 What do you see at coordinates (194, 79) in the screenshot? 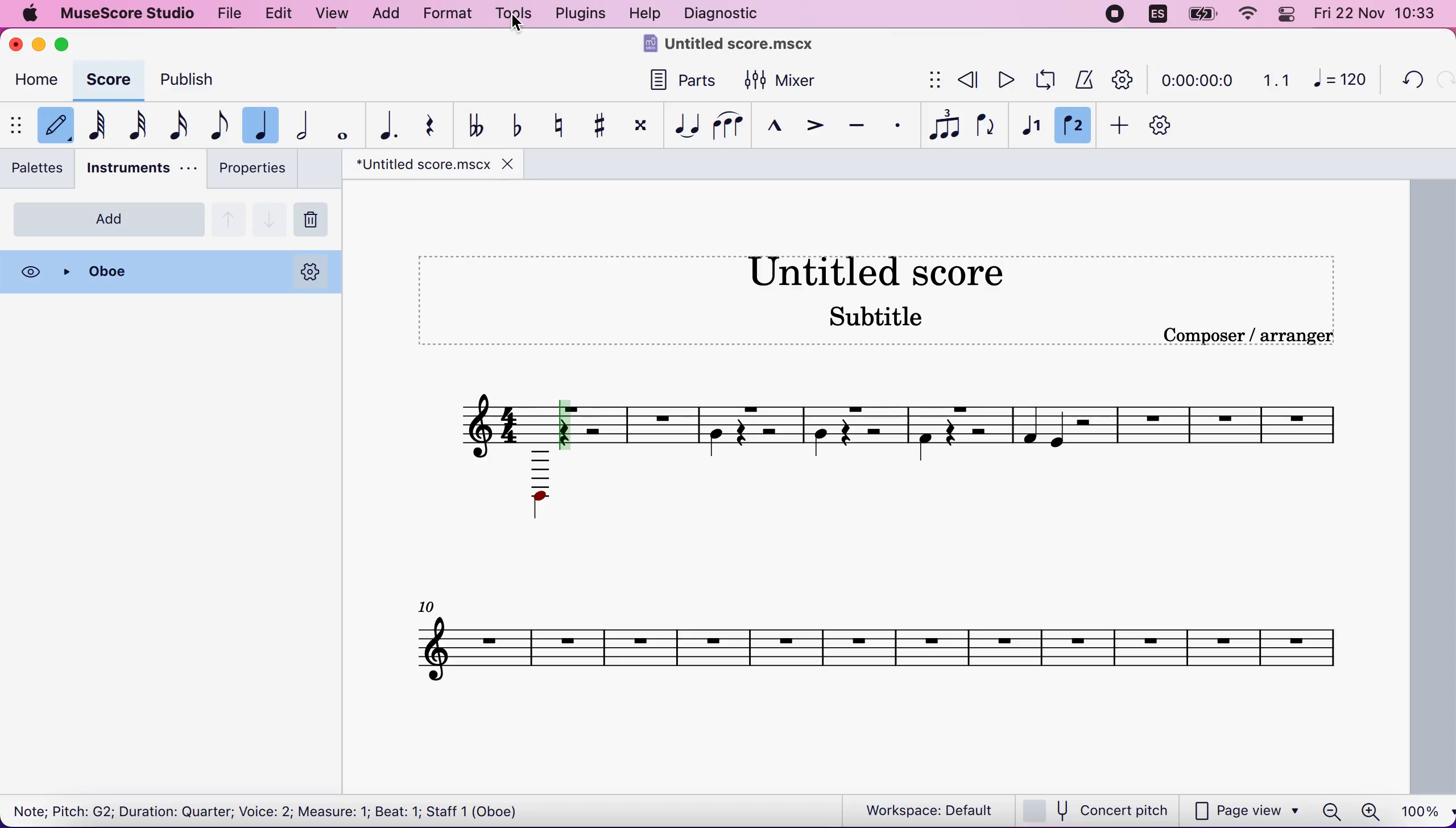
I see `publish` at bounding box center [194, 79].